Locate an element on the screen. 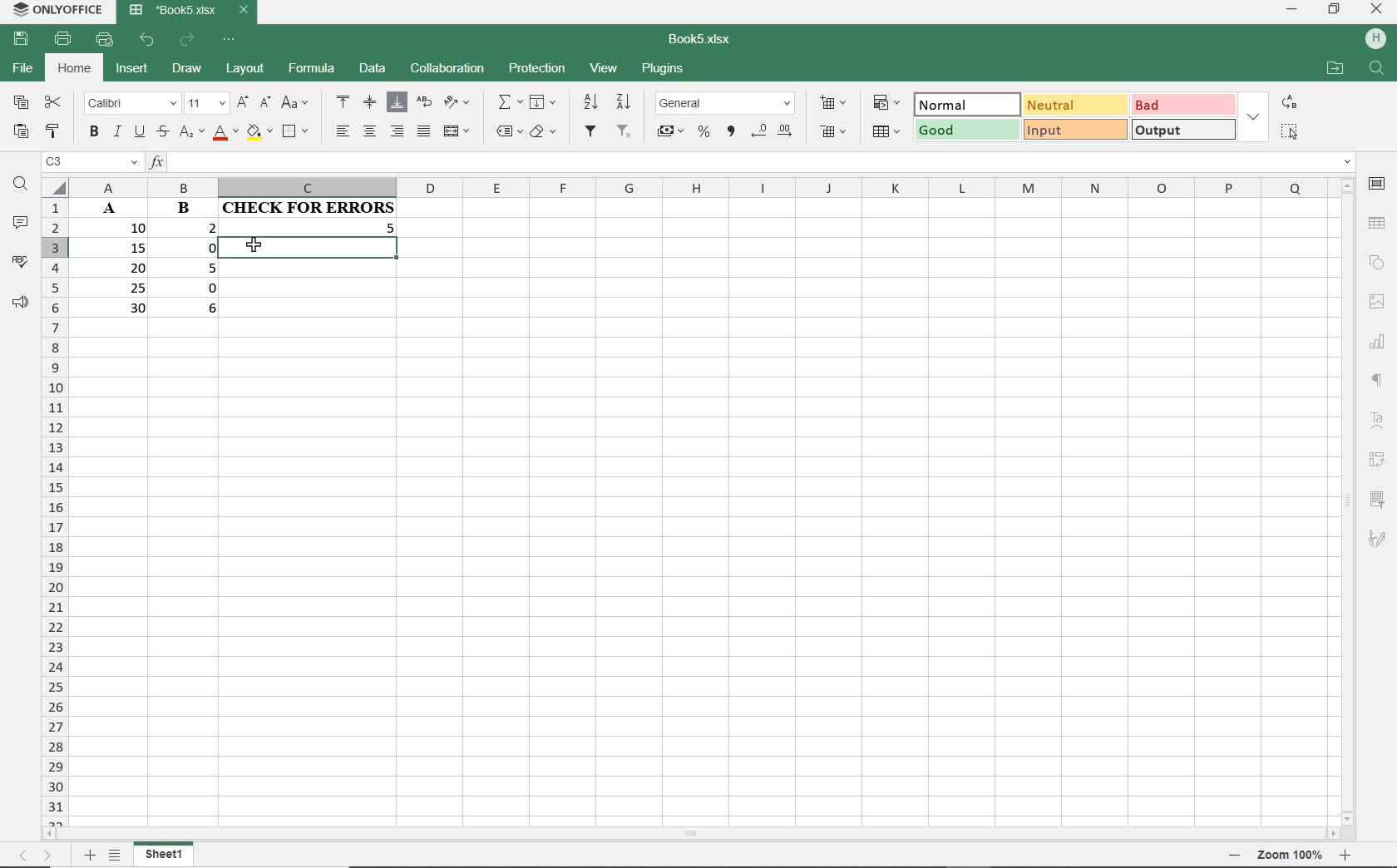  SELECT ALL is located at coordinates (1291, 133).